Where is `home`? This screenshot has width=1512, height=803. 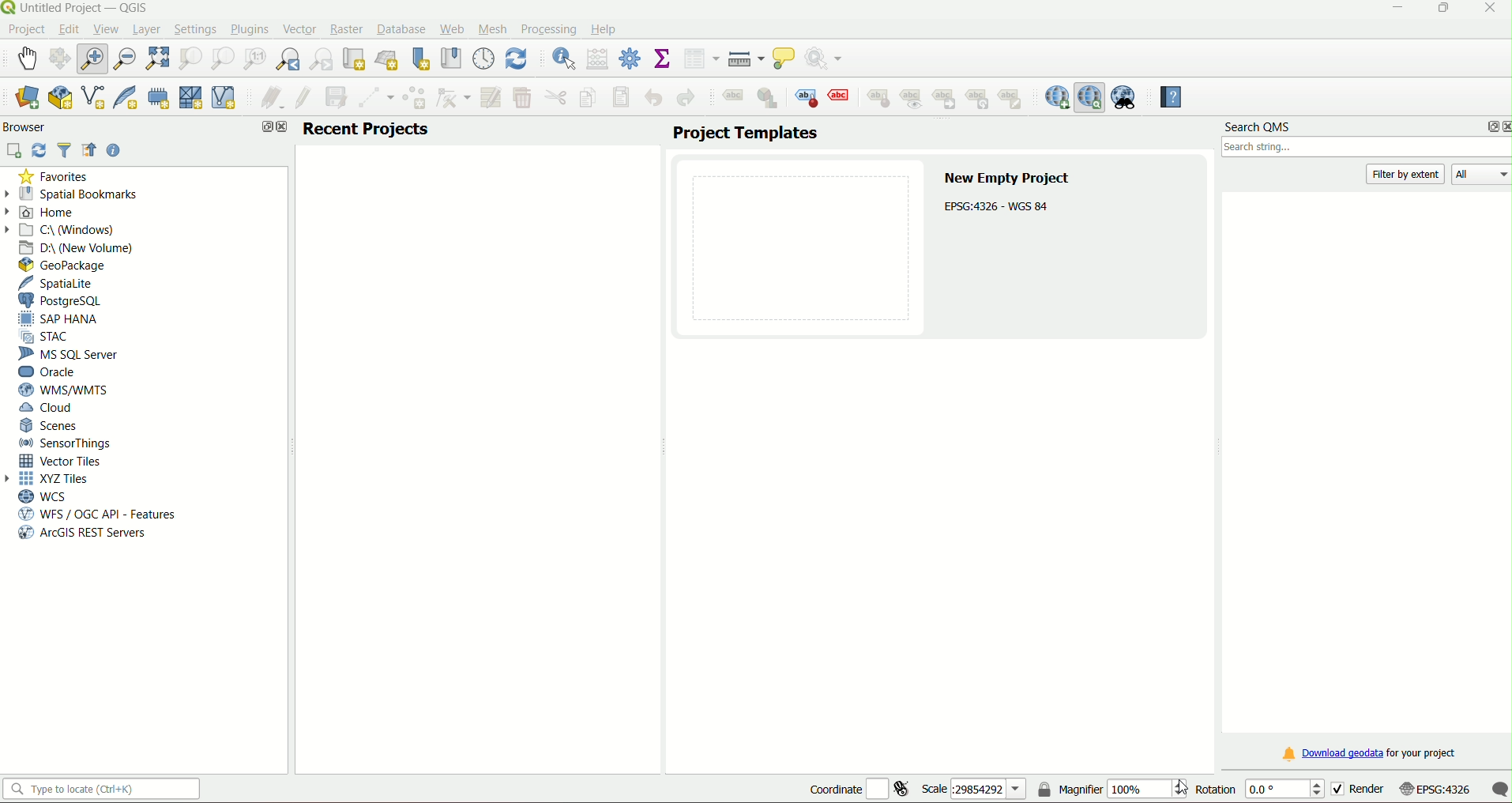
home is located at coordinates (55, 213).